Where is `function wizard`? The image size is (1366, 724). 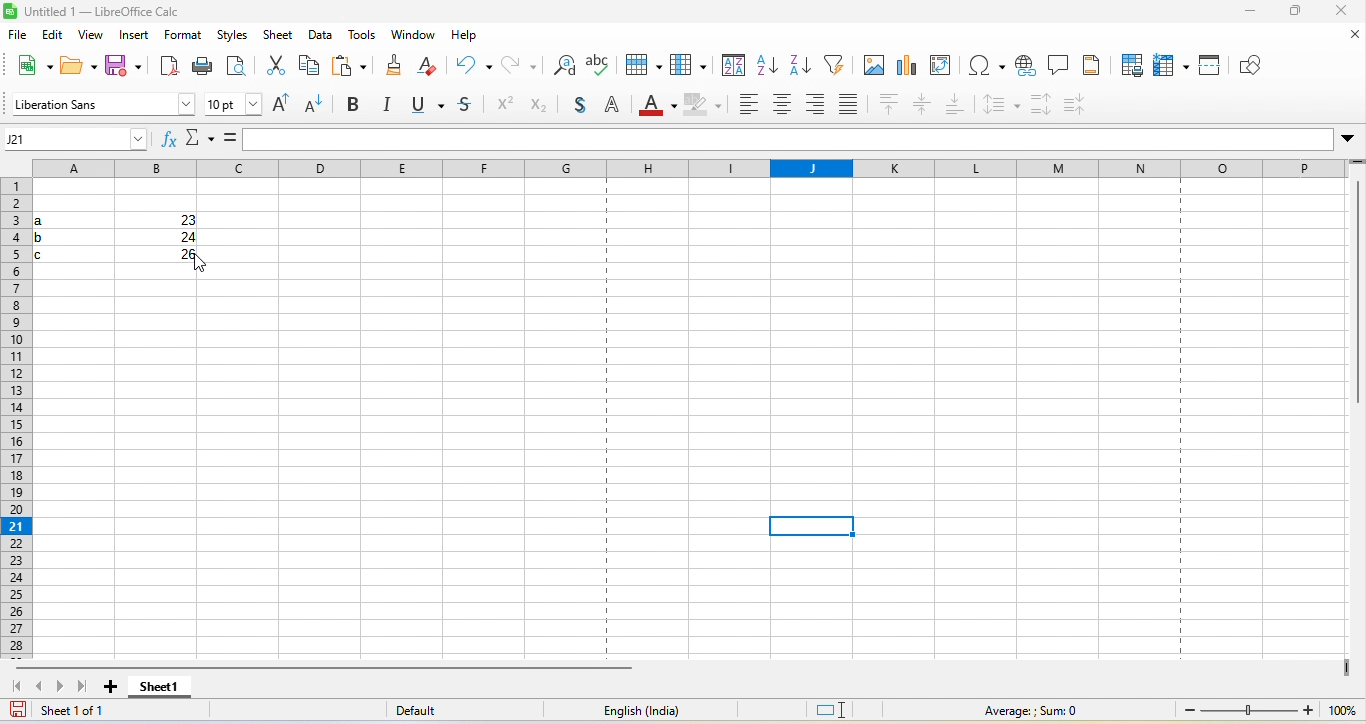
function wizard is located at coordinates (167, 139).